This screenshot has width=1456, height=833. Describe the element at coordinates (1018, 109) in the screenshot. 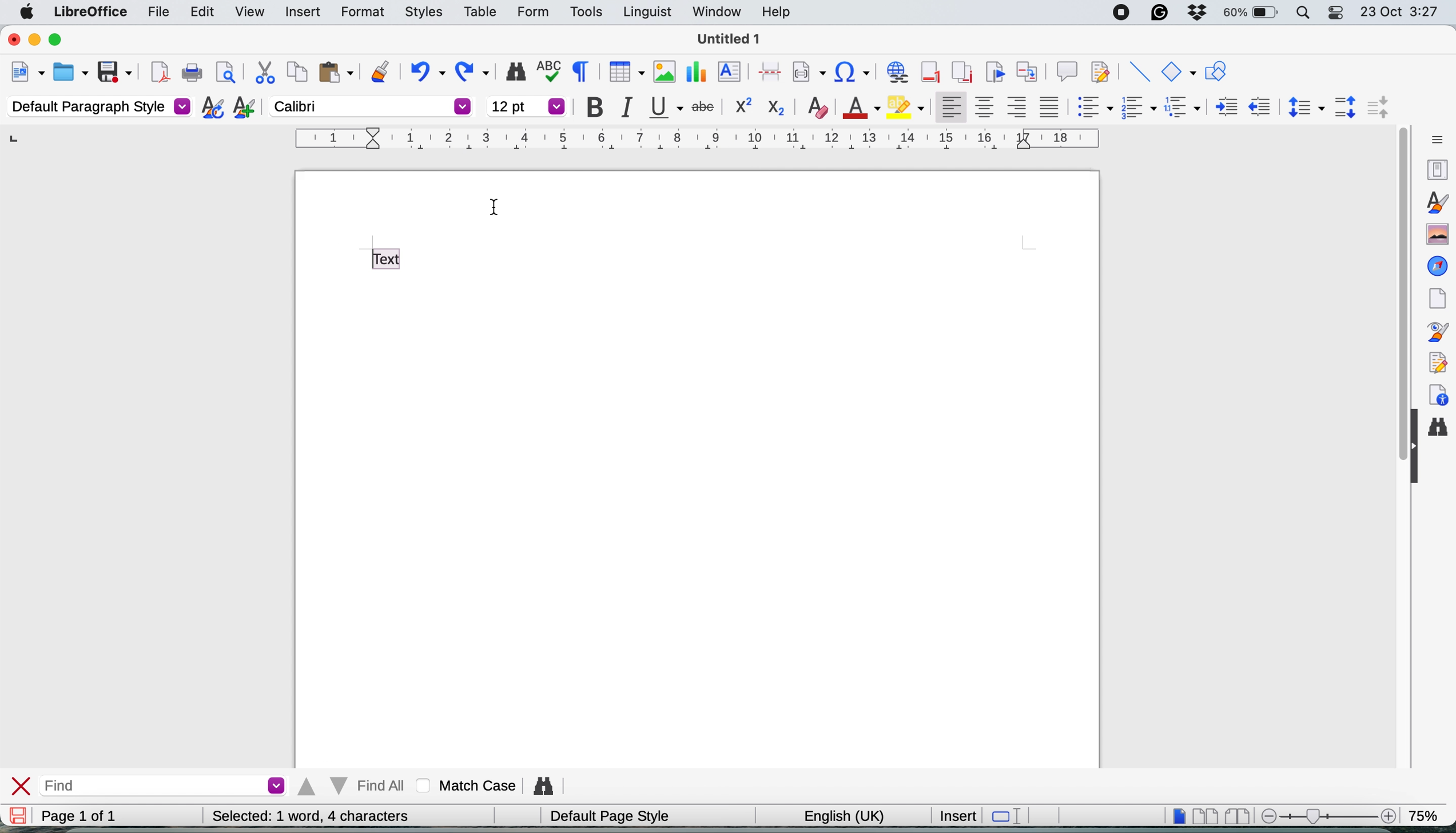

I see `align right` at that location.